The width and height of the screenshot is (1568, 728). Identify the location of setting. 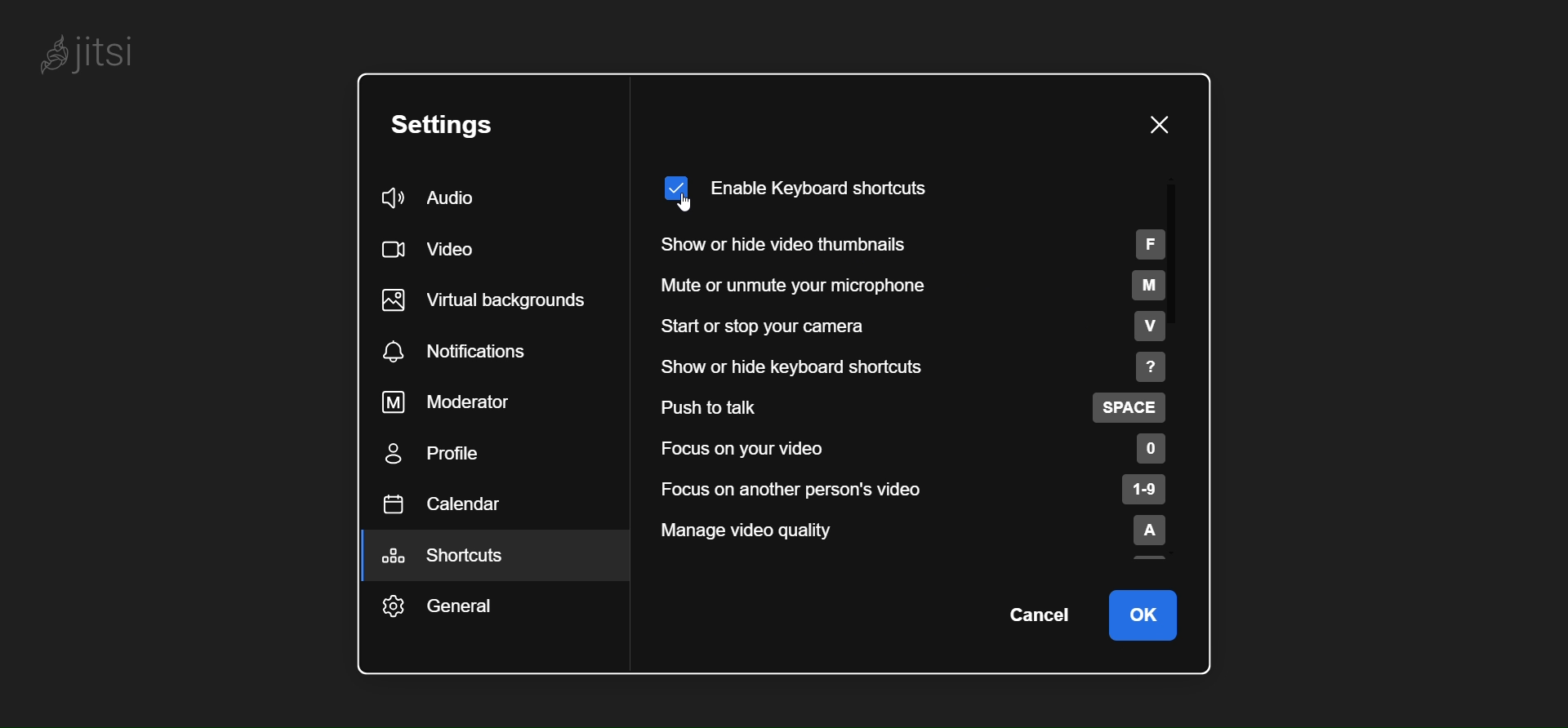
(454, 126).